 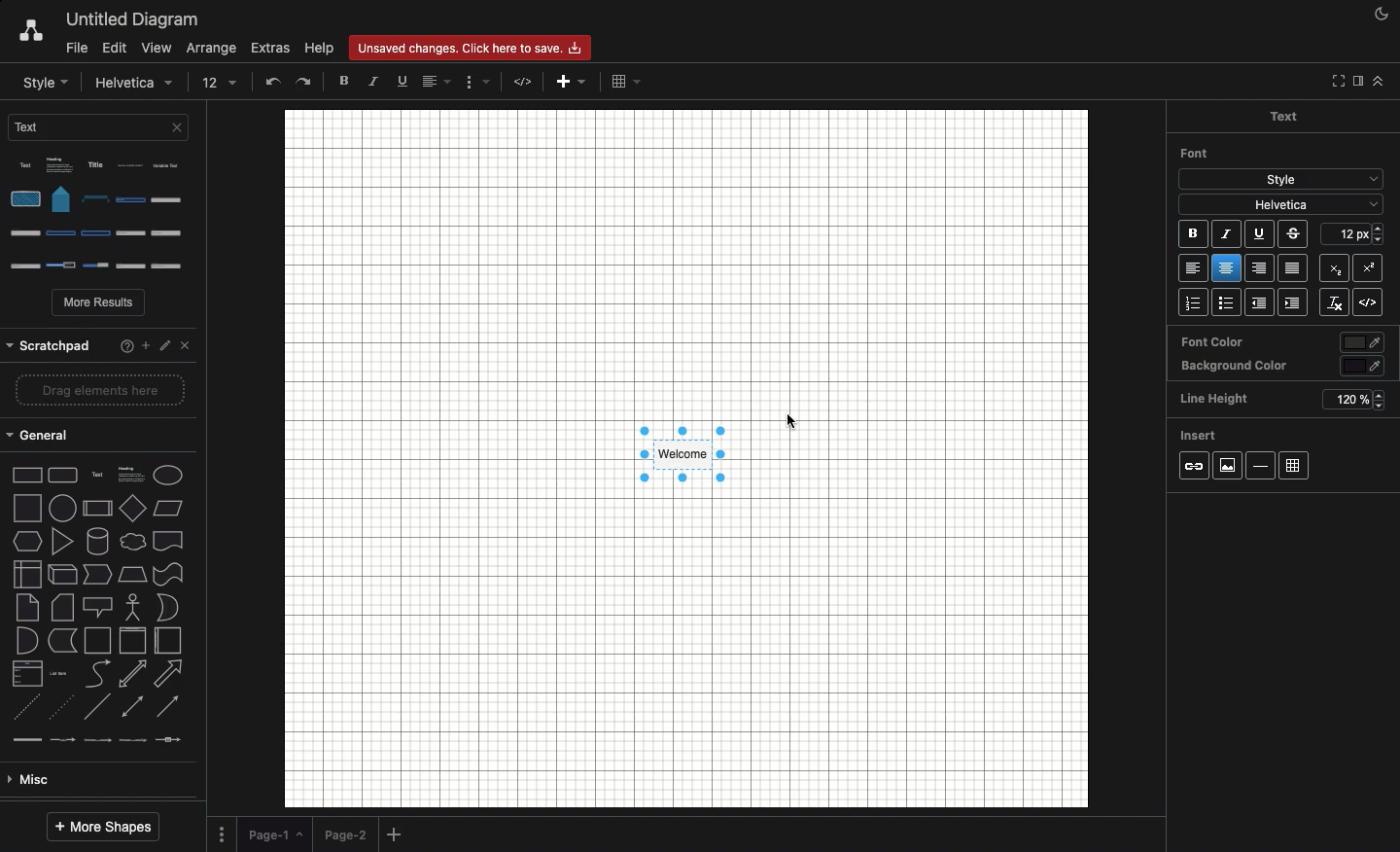 I want to click on To back, so click(x=375, y=81).